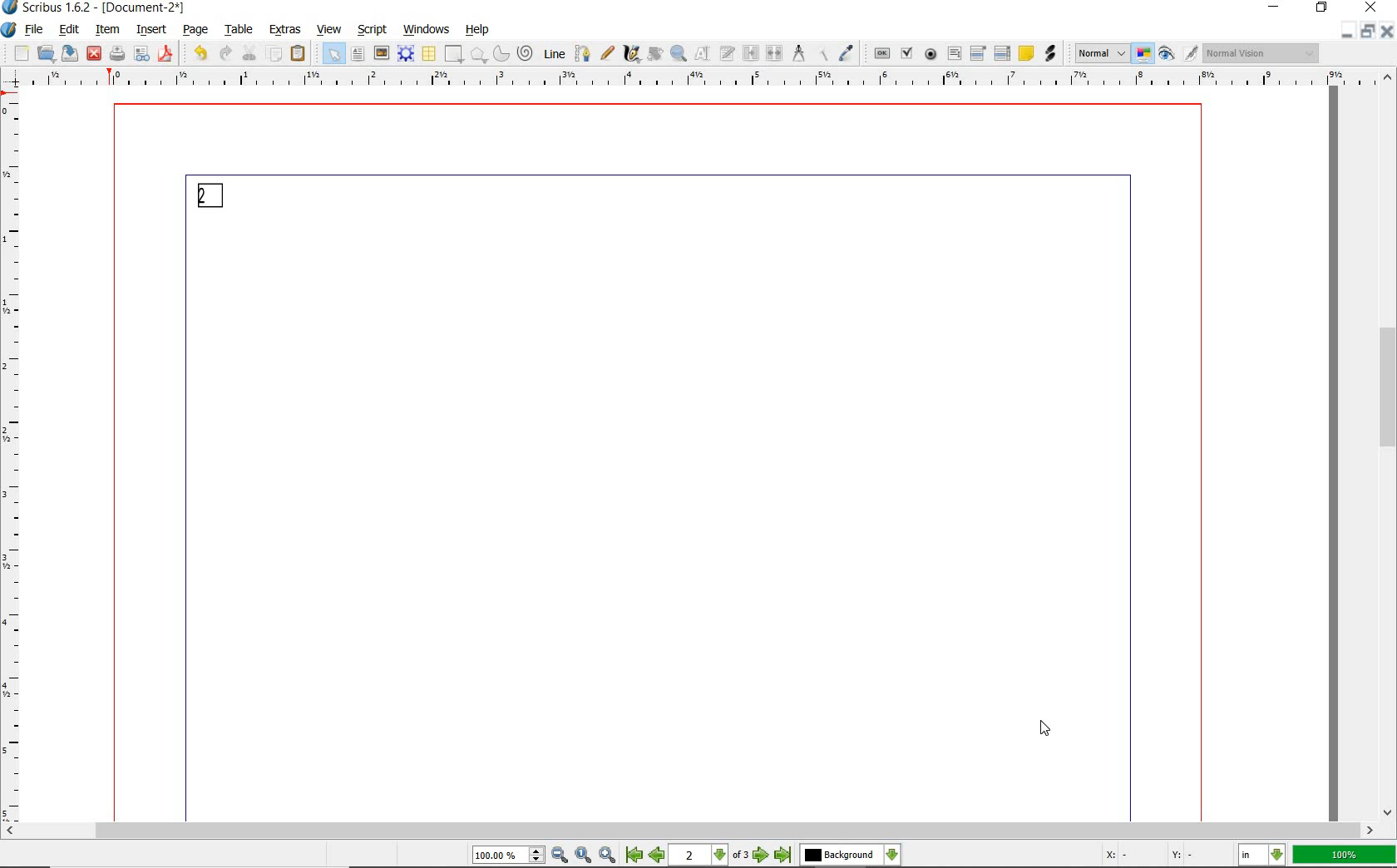 Image resolution: width=1397 pixels, height=868 pixels. I want to click on save, so click(70, 54).